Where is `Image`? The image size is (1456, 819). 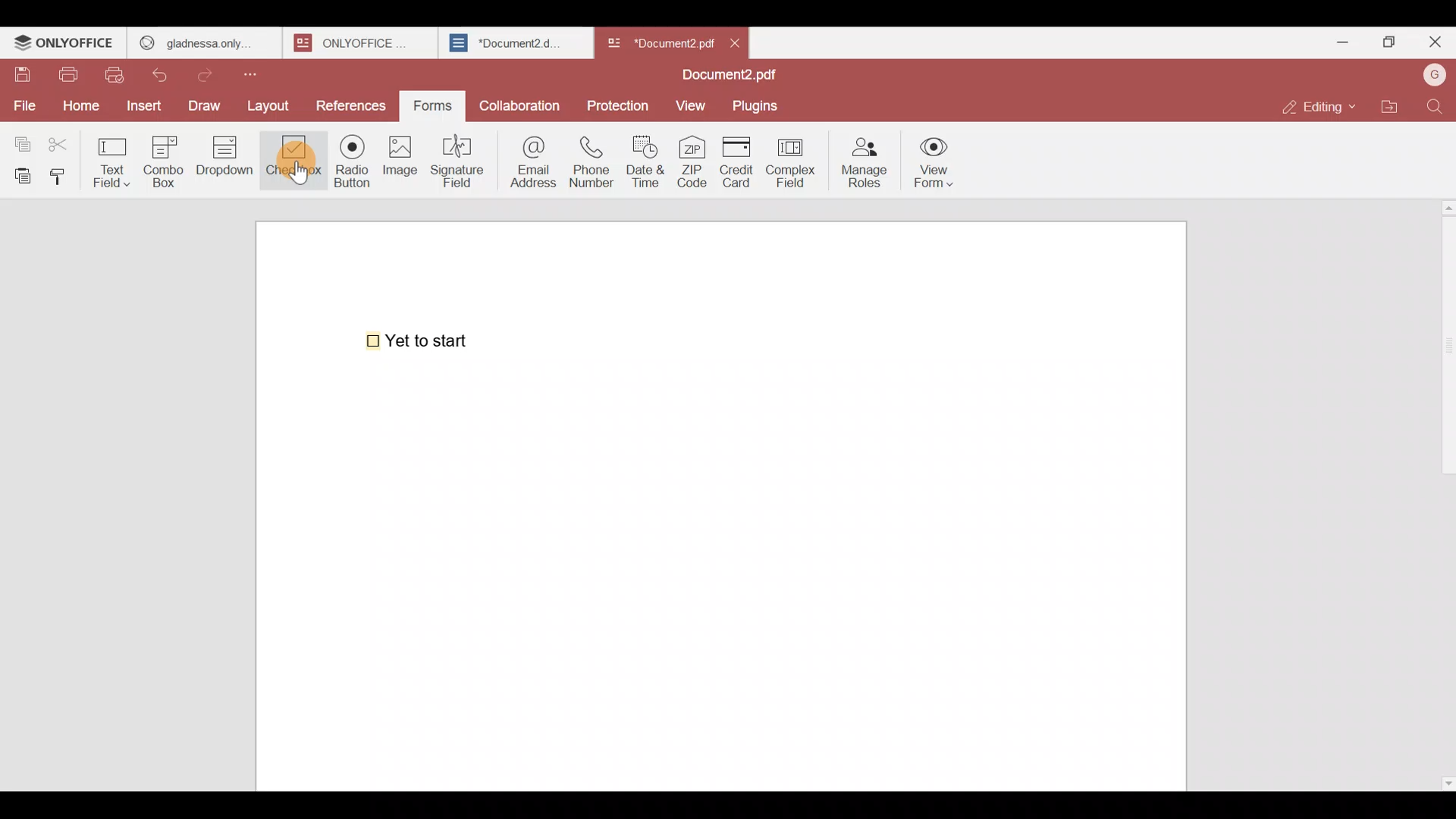
Image is located at coordinates (402, 167).